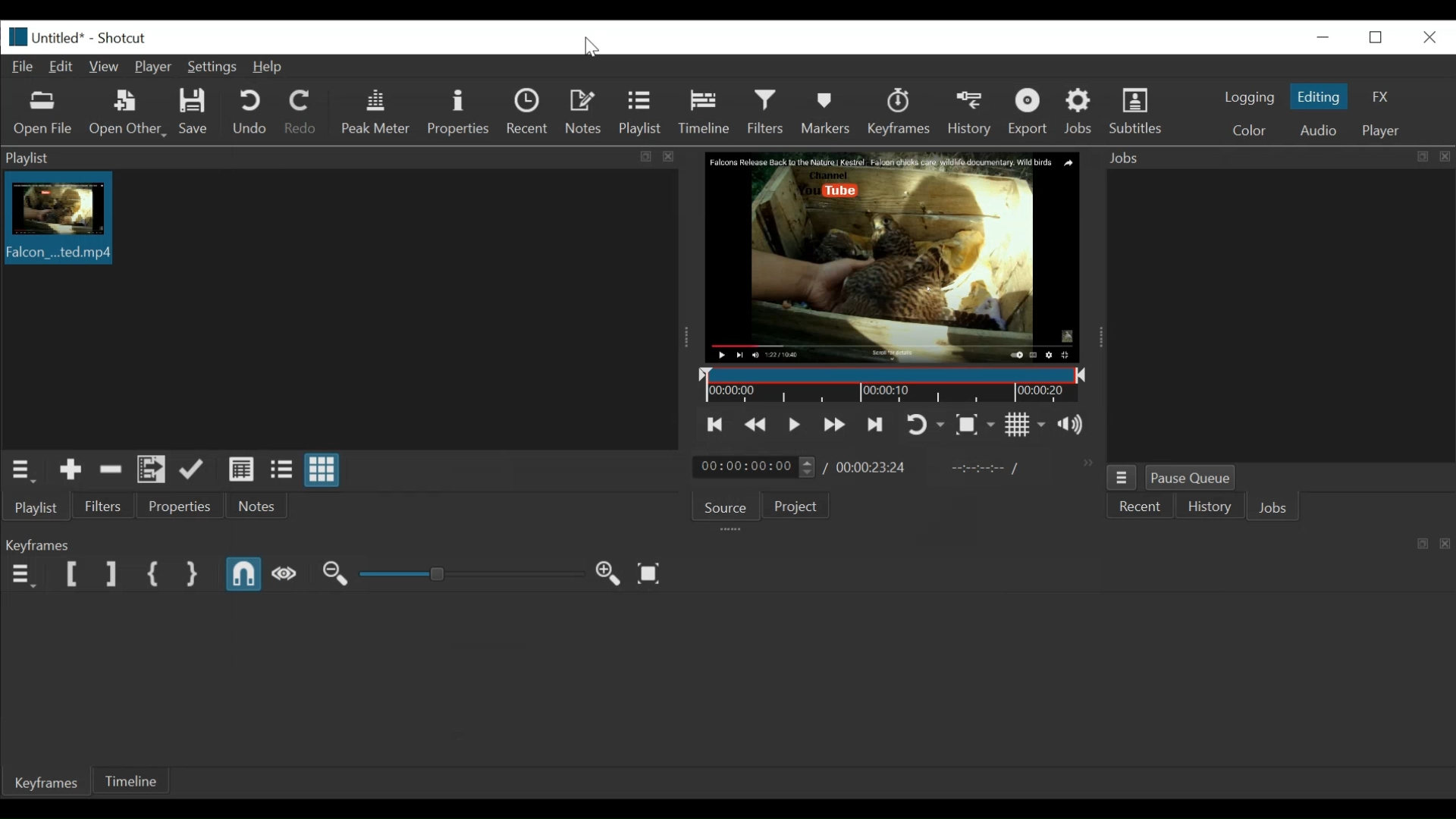 The width and height of the screenshot is (1456, 819). What do you see at coordinates (42, 115) in the screenshot?
I see `Open file` at bounding box center [42, 115].